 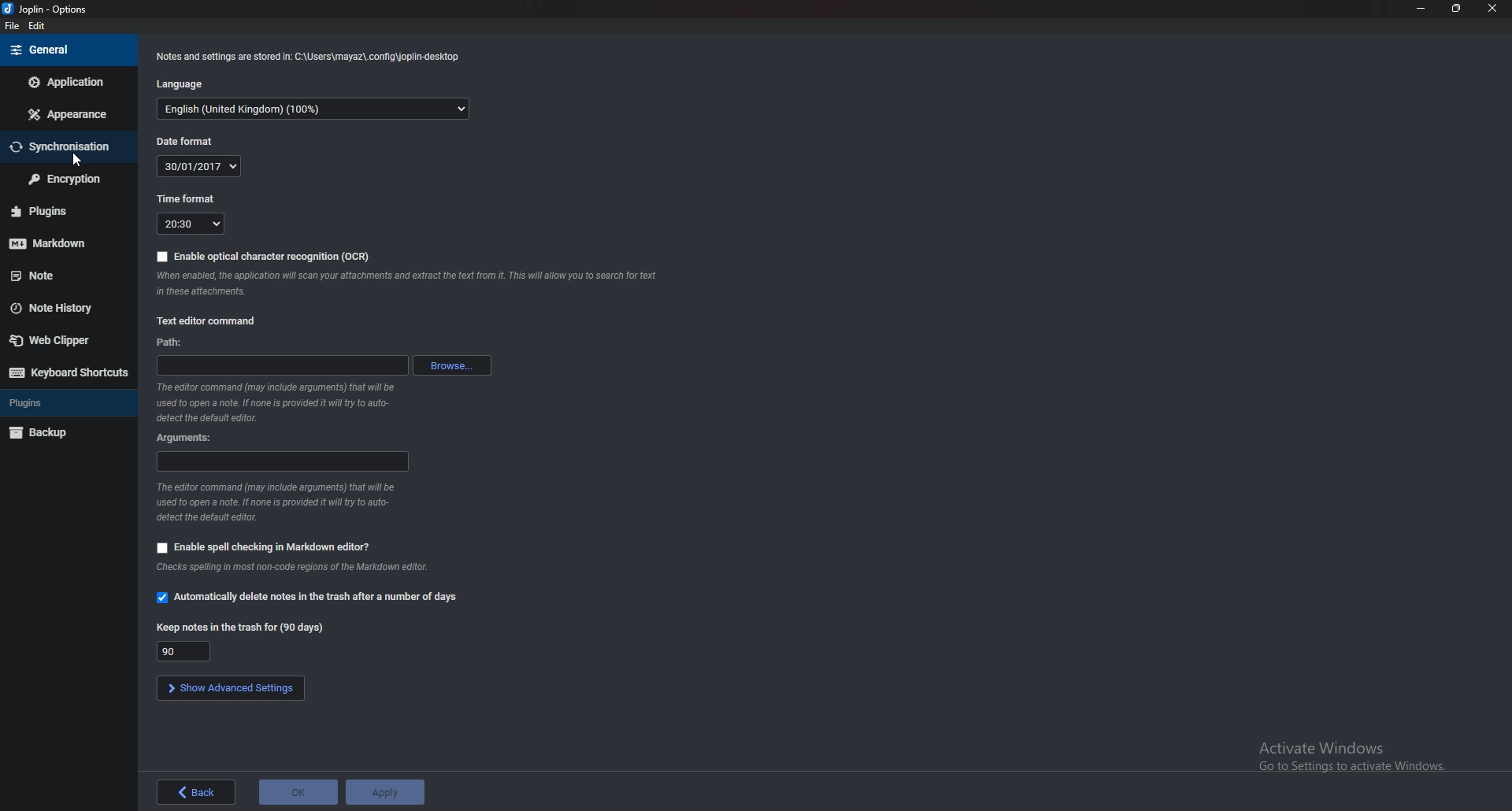 What do you see at coordinates (63, 340) in the screenshot?
I see `web clipper` at bounding box center [63, 340].